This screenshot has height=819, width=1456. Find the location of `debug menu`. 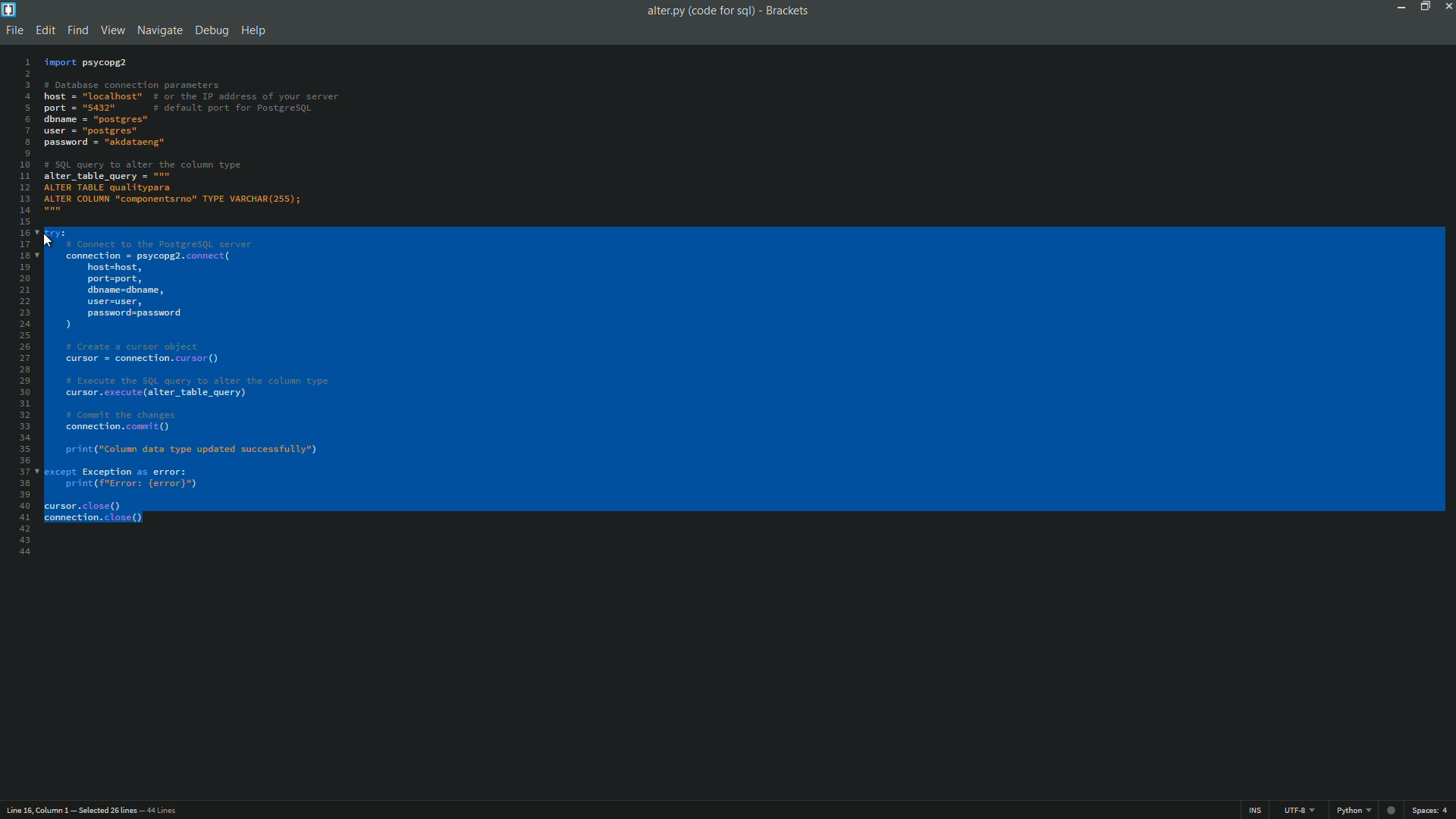

debug menu is located at coordinates (209, 31).